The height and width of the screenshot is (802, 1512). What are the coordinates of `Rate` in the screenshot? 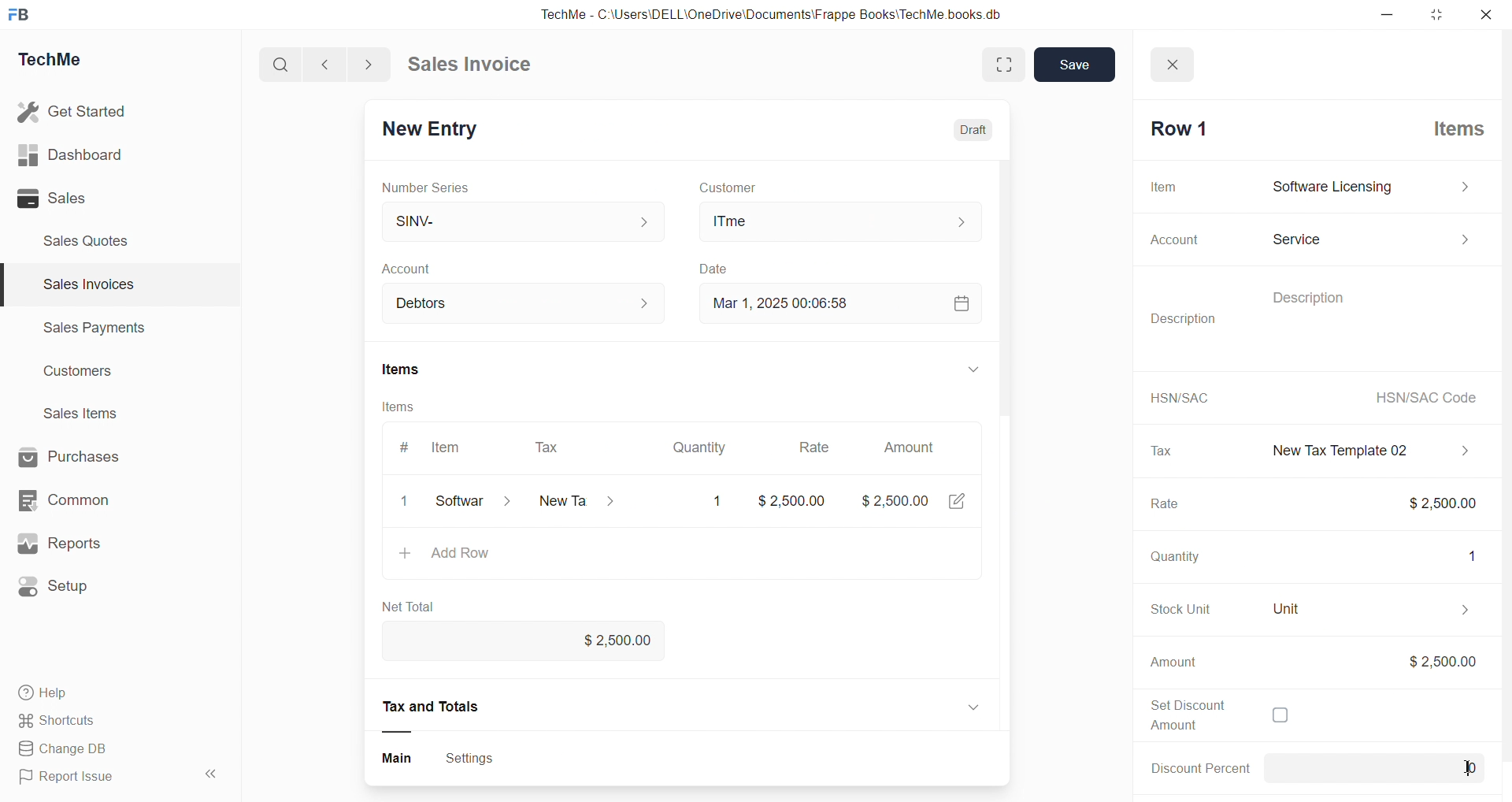 It's located at (810, 444).